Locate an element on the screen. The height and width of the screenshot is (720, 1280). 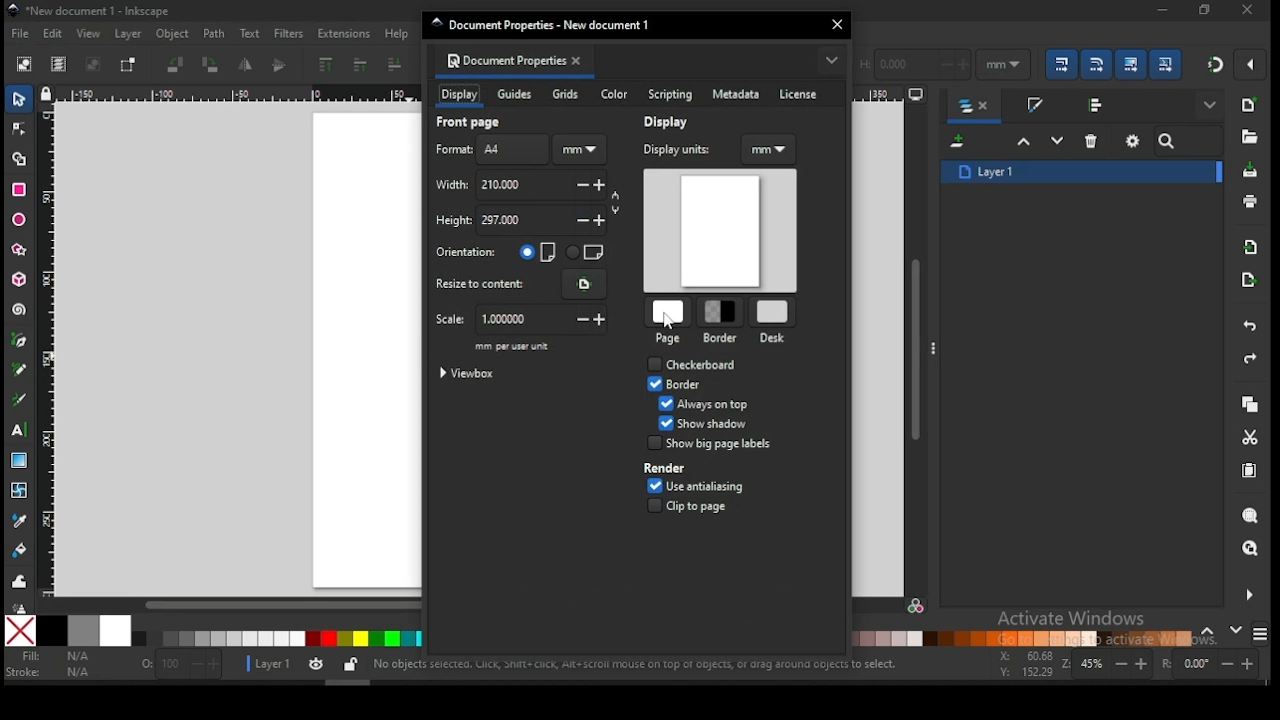
shape builder tool is located at coordinates (20, 157).